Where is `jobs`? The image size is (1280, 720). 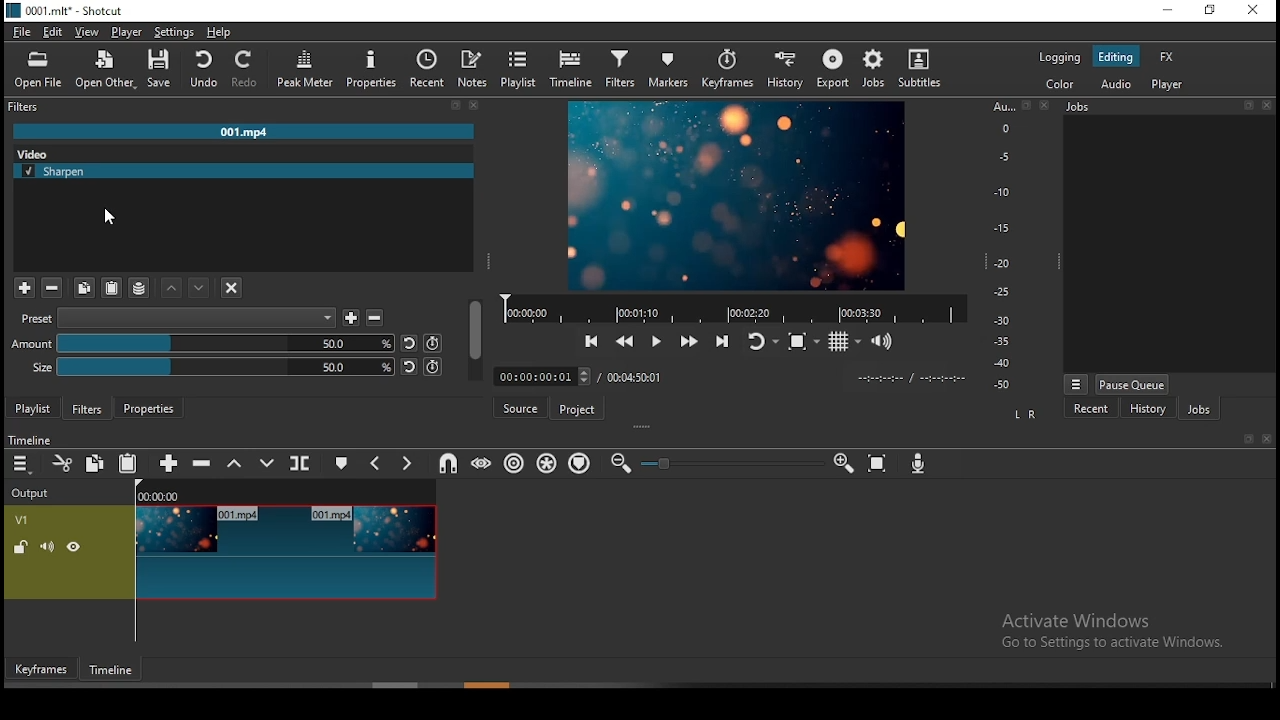 jobs is located at coordinates (1203, 409).